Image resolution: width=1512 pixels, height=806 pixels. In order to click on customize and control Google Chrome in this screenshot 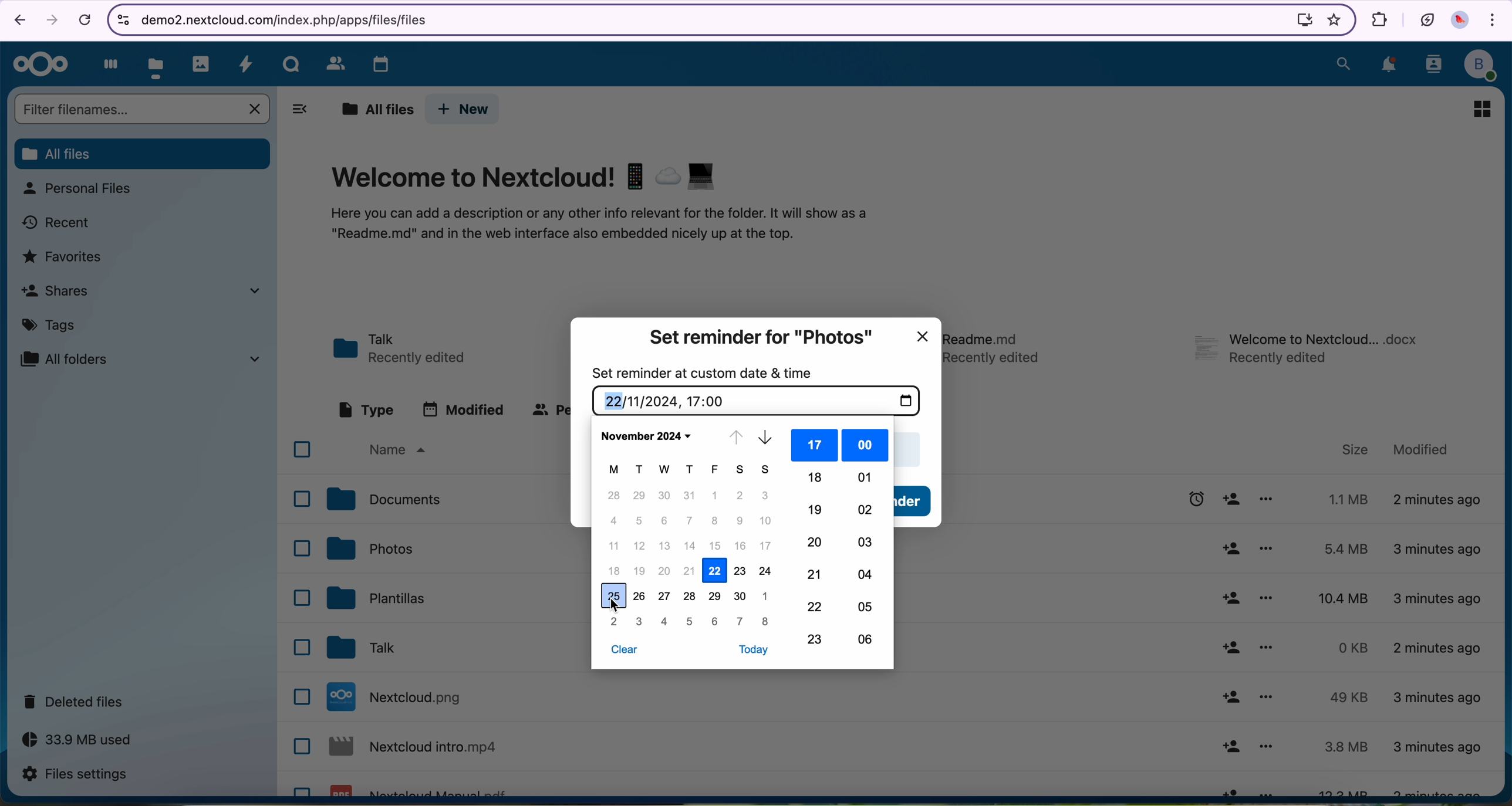, I will do `click(1494, 22)`.